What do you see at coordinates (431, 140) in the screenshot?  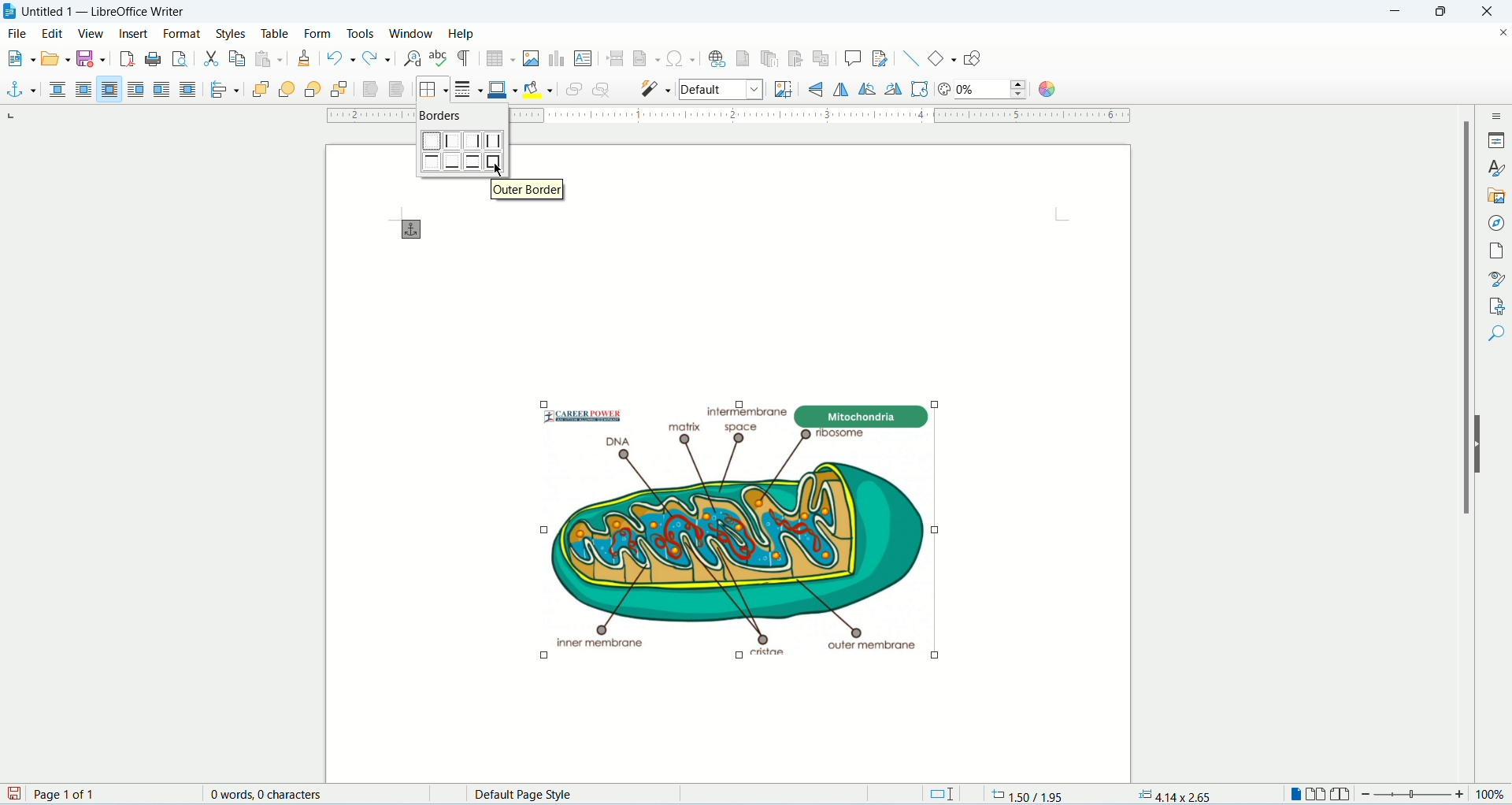 I see `no border` at bounding box center [431, 140].